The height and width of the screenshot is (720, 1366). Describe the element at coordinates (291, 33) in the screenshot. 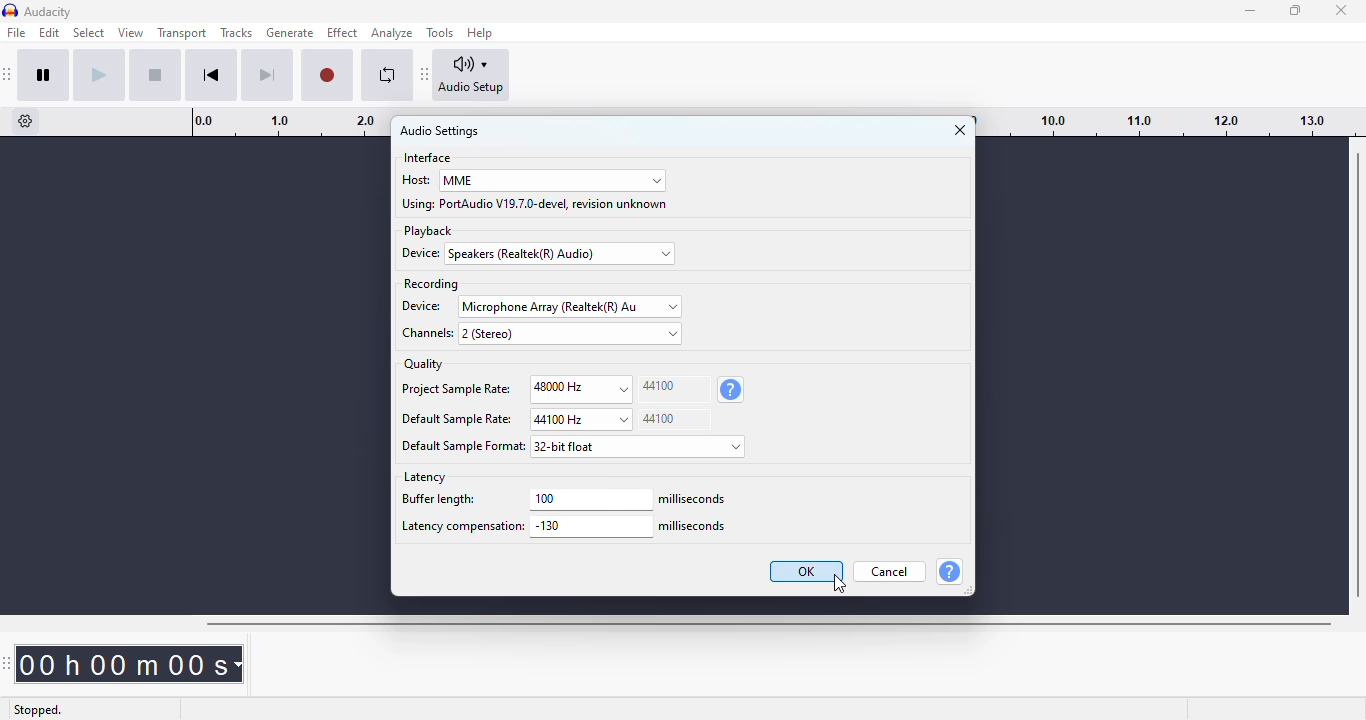

I see `generate` at that location.